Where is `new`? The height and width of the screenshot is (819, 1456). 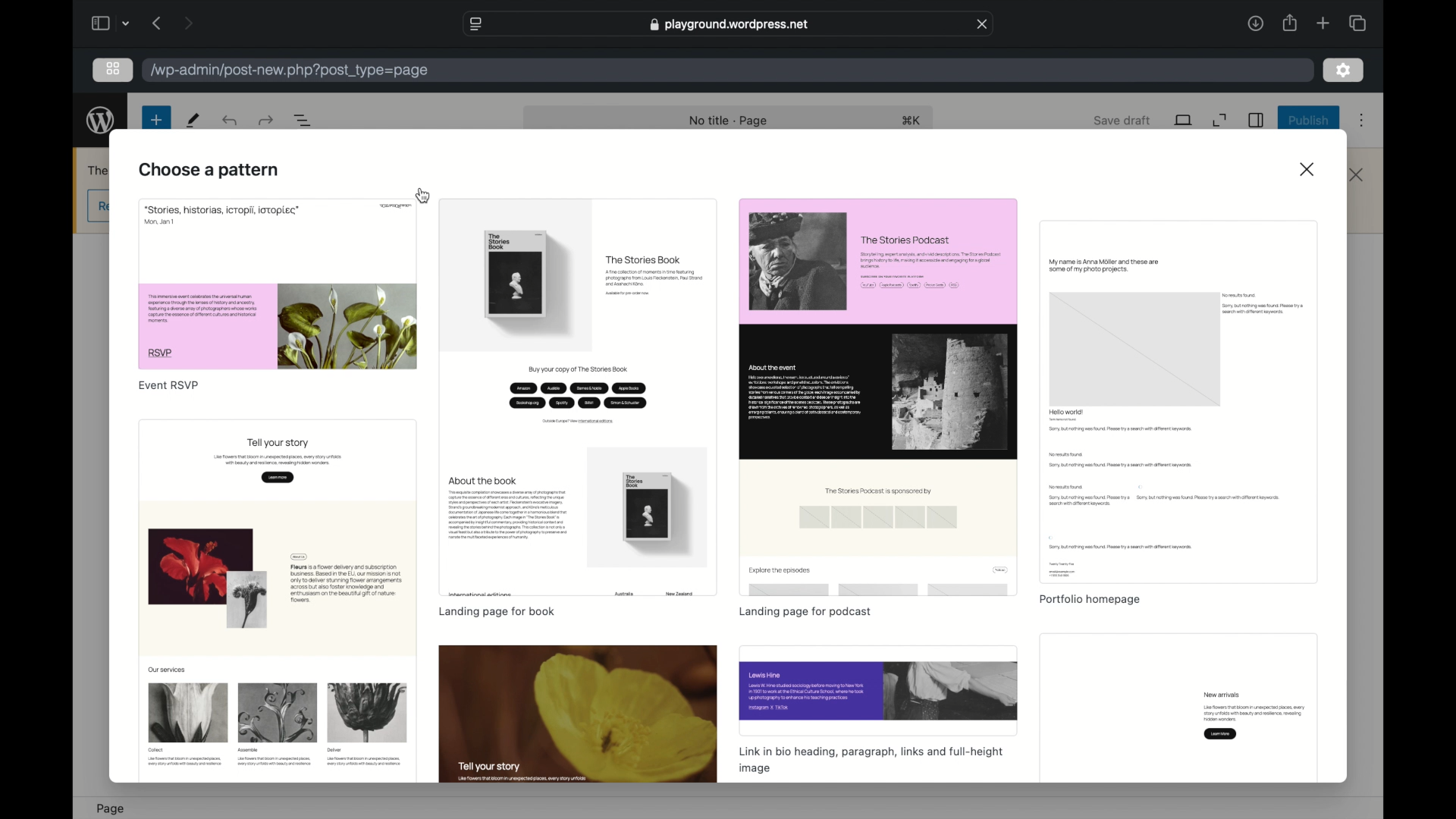 new is located at coordinates (156, 120).